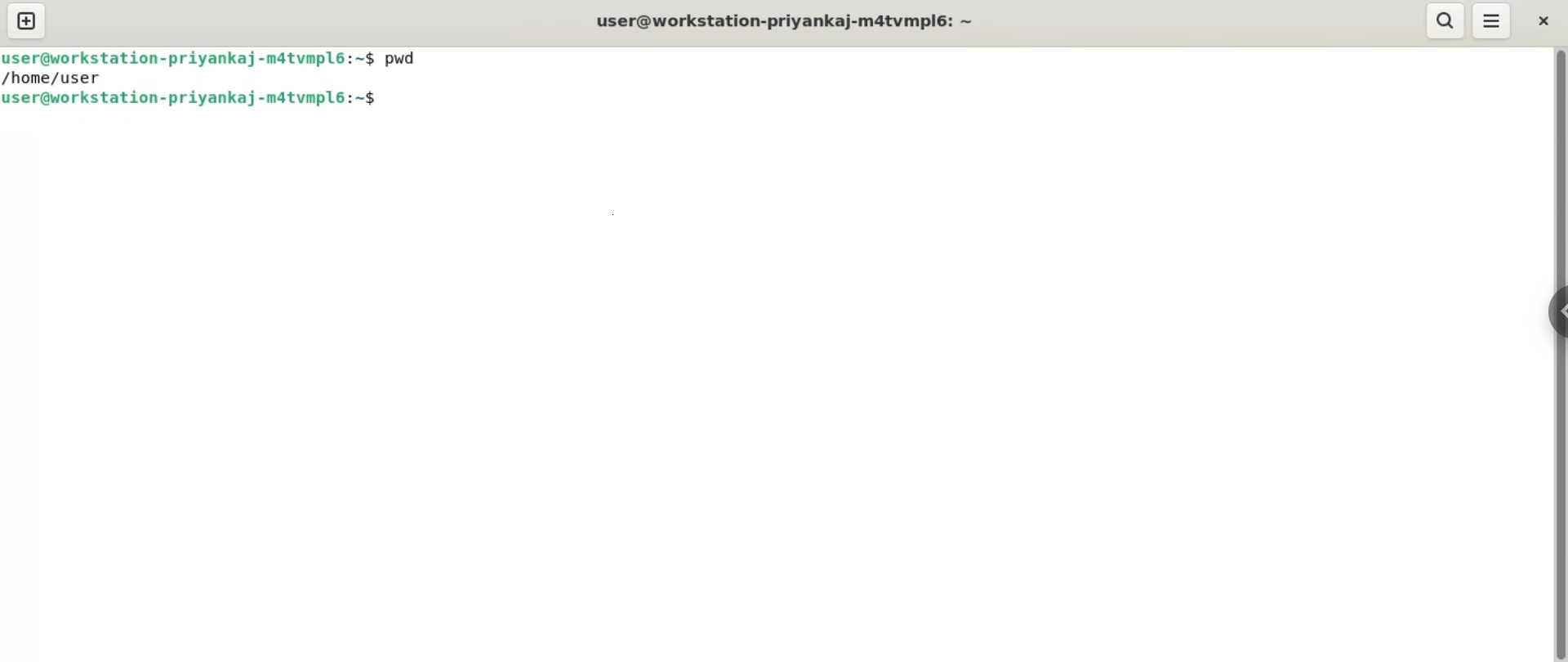 The width and height of the screenshot is (1568, 662). I want to click on search, so click(1446, 21).